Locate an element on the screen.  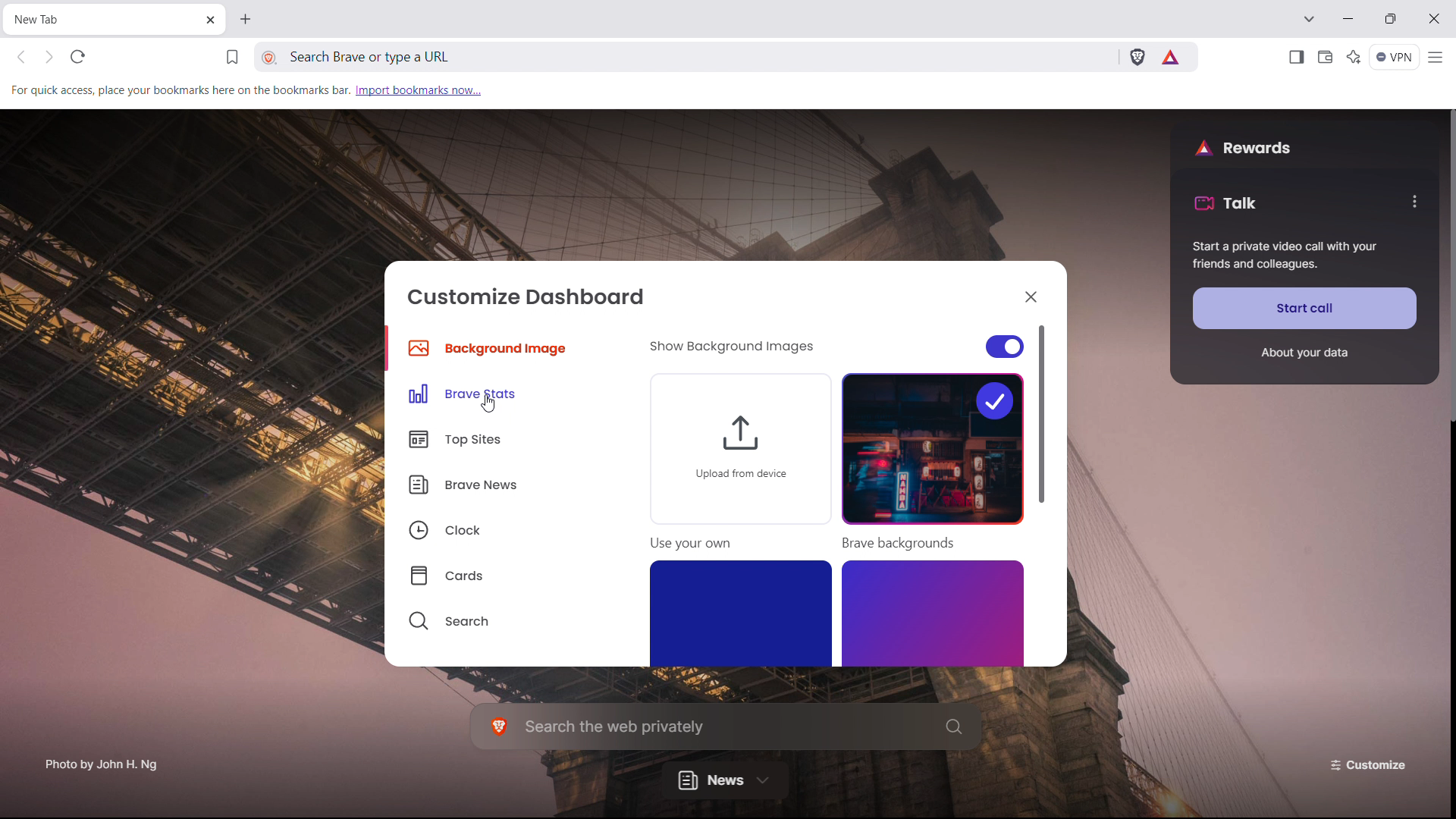
news is located at coordinates (725, 779).